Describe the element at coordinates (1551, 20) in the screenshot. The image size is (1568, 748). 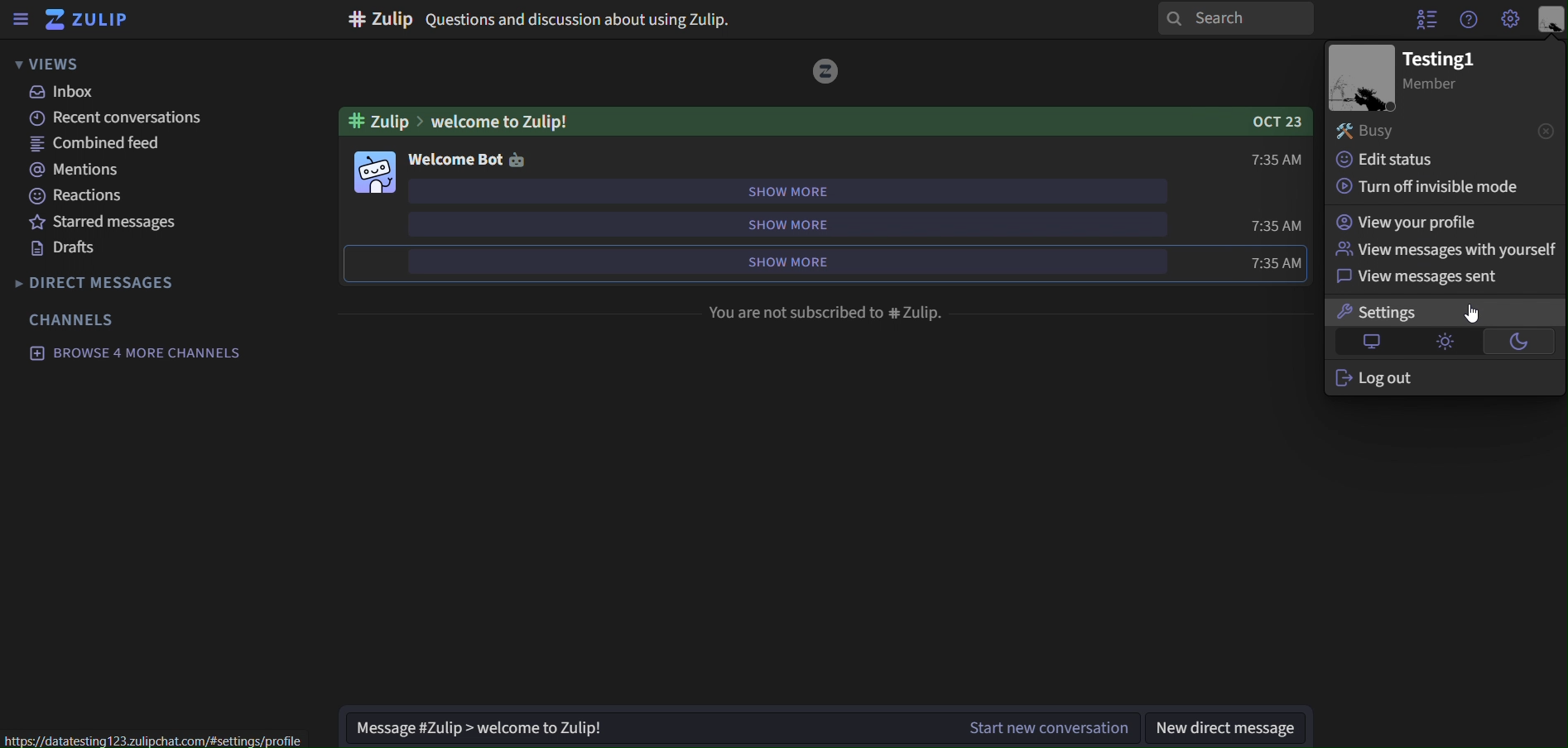
I see `personal menu` at that location.